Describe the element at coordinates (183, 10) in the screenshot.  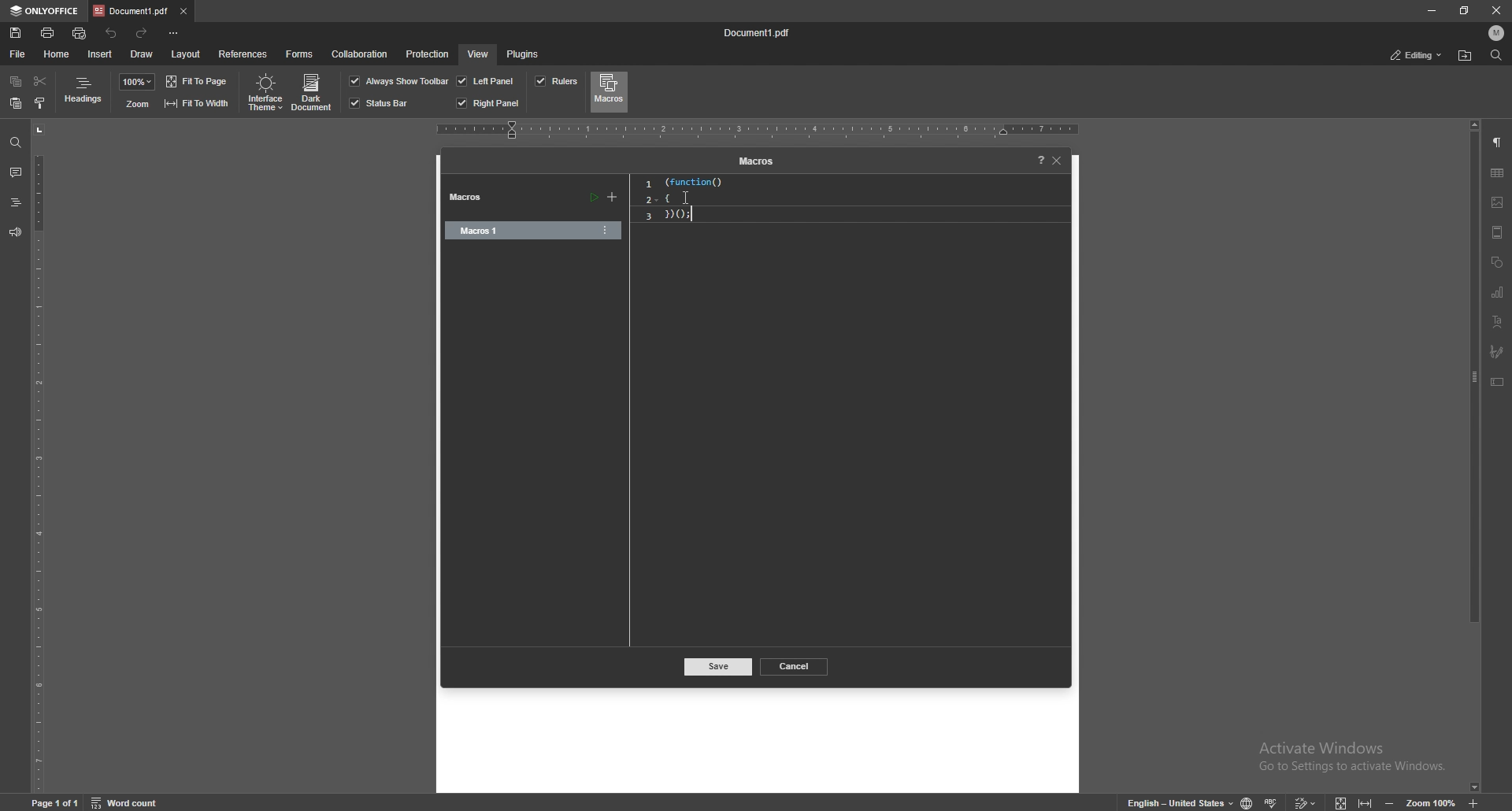
I see `close tab` at that location.